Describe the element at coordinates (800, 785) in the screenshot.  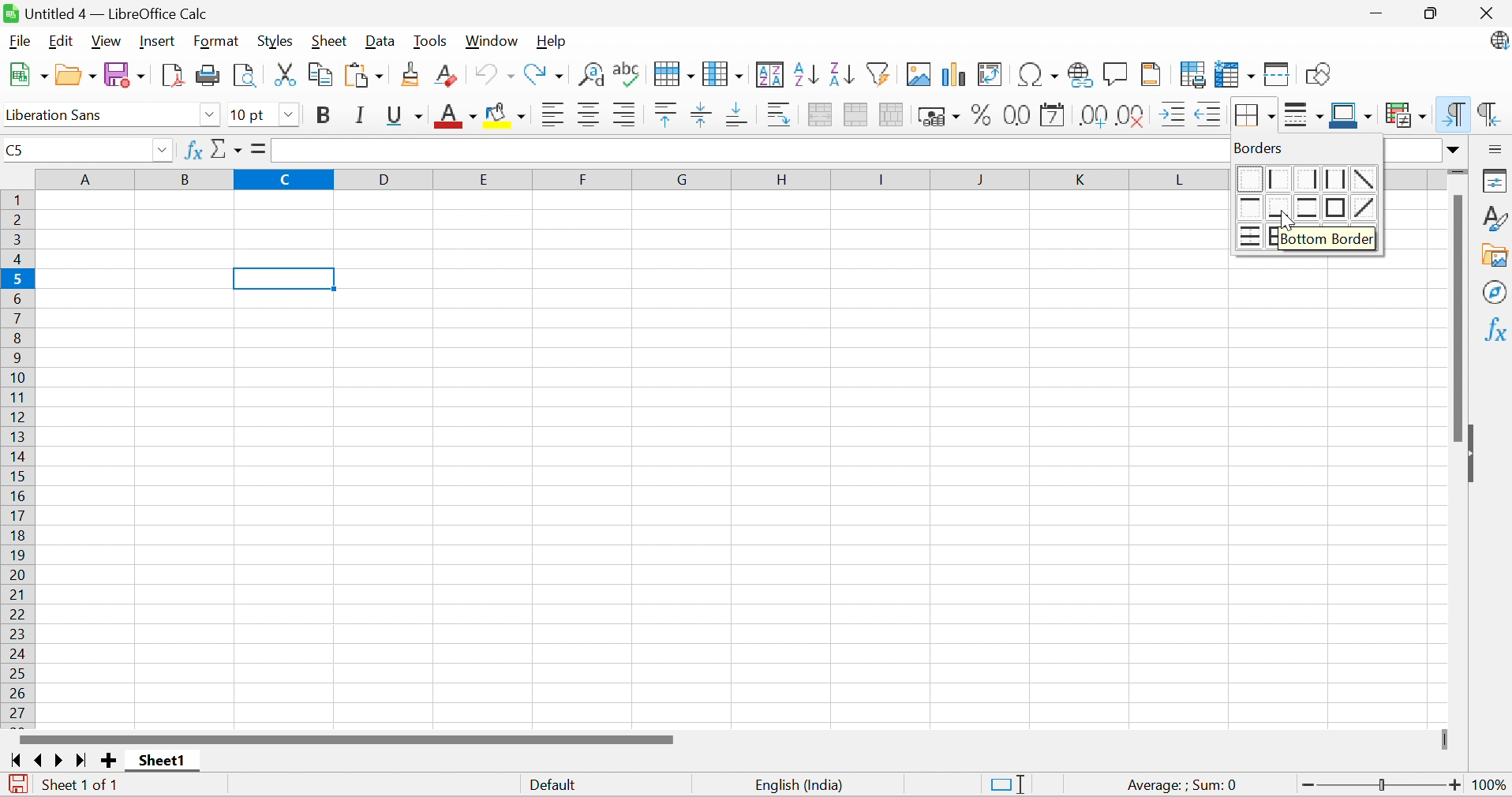
I see `English (India)` at that location.